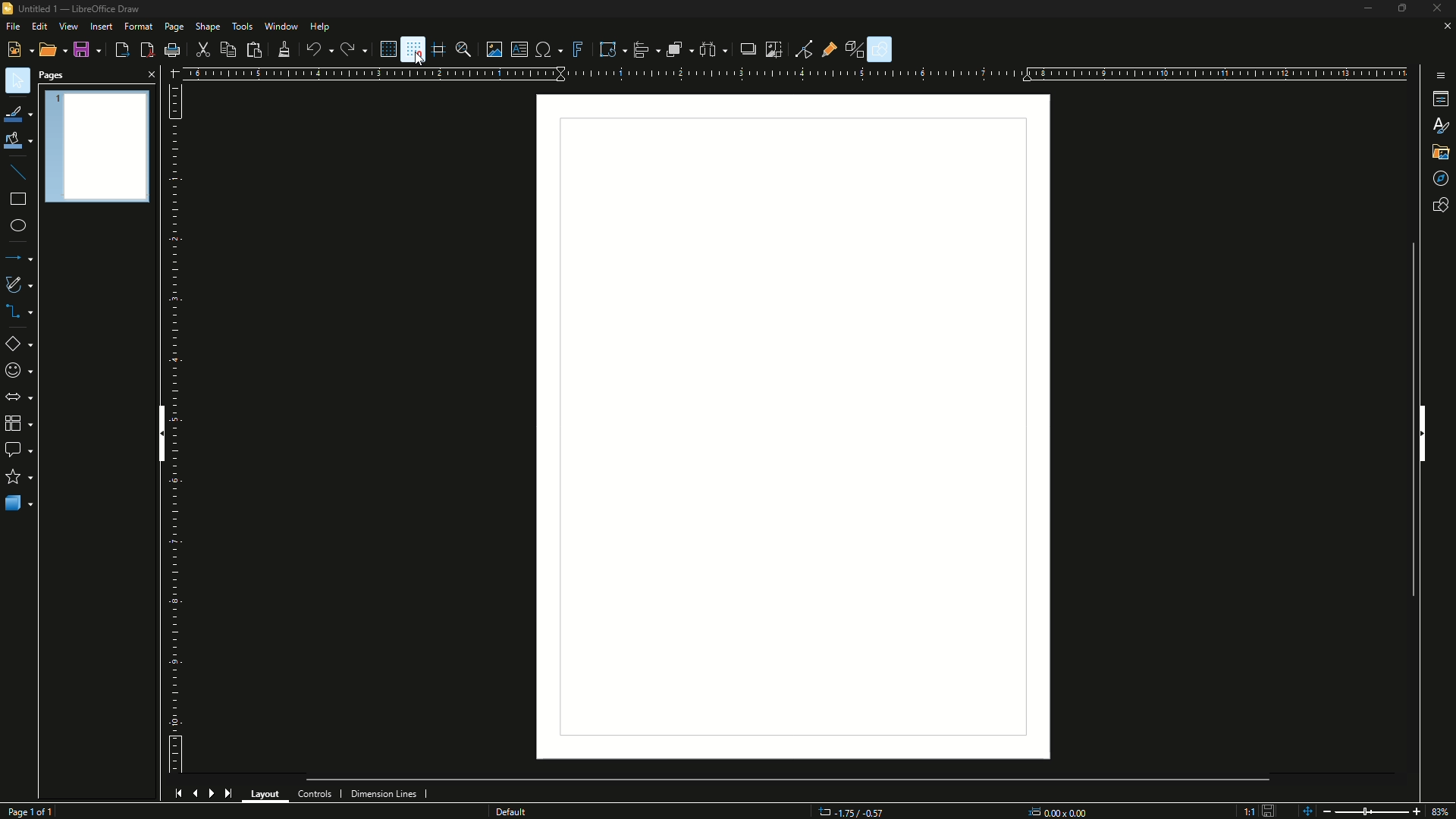 The image size is (1456, 819). Describe the element at coordinates (231, 51) in the screenshot. I see `Copy` at that location.